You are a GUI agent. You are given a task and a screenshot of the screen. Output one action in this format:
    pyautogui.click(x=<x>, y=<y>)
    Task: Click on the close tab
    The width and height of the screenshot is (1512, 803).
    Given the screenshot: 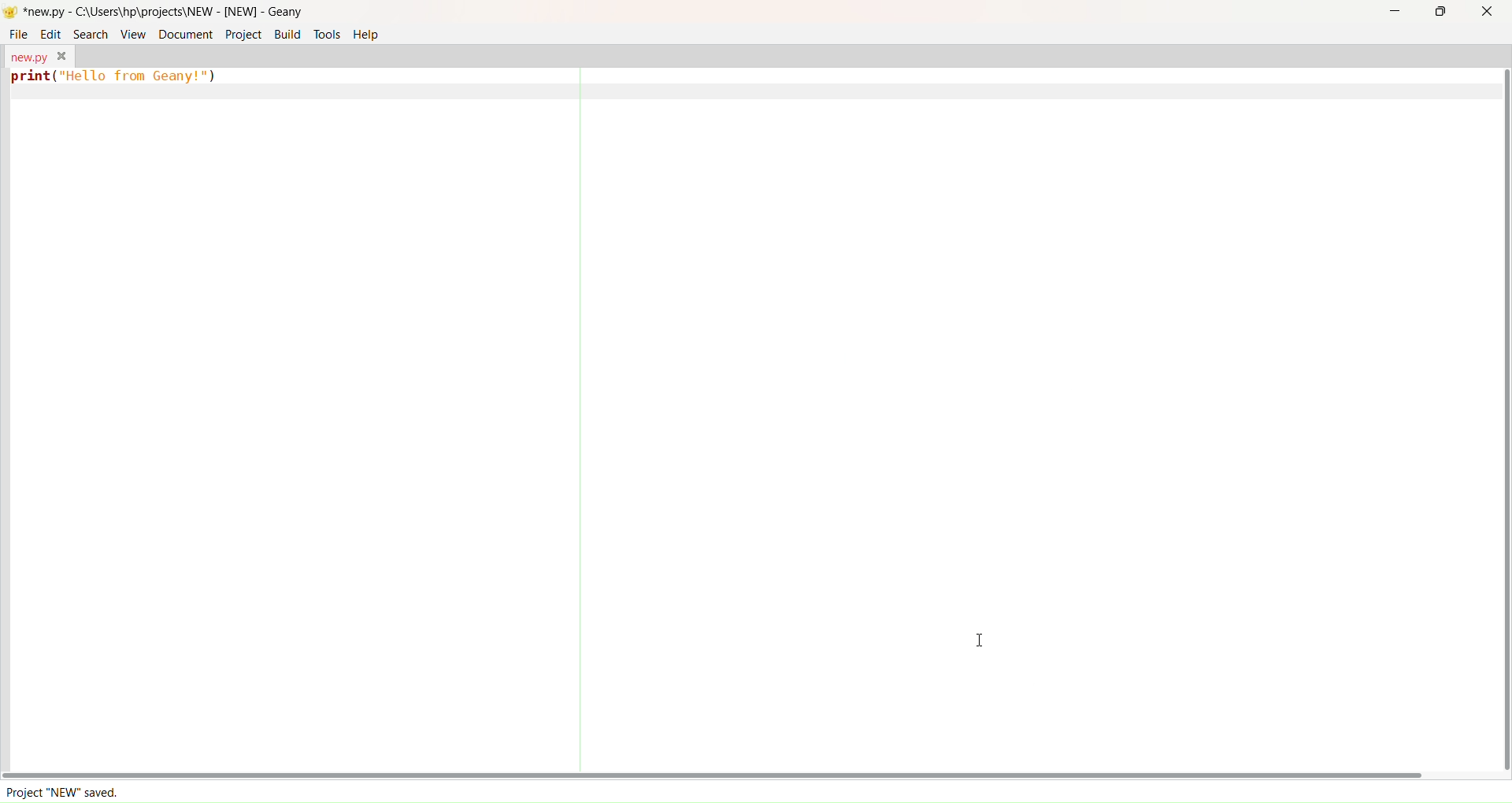 What is the action you would take?
    pyautogui.click(x=62, y=56)
    